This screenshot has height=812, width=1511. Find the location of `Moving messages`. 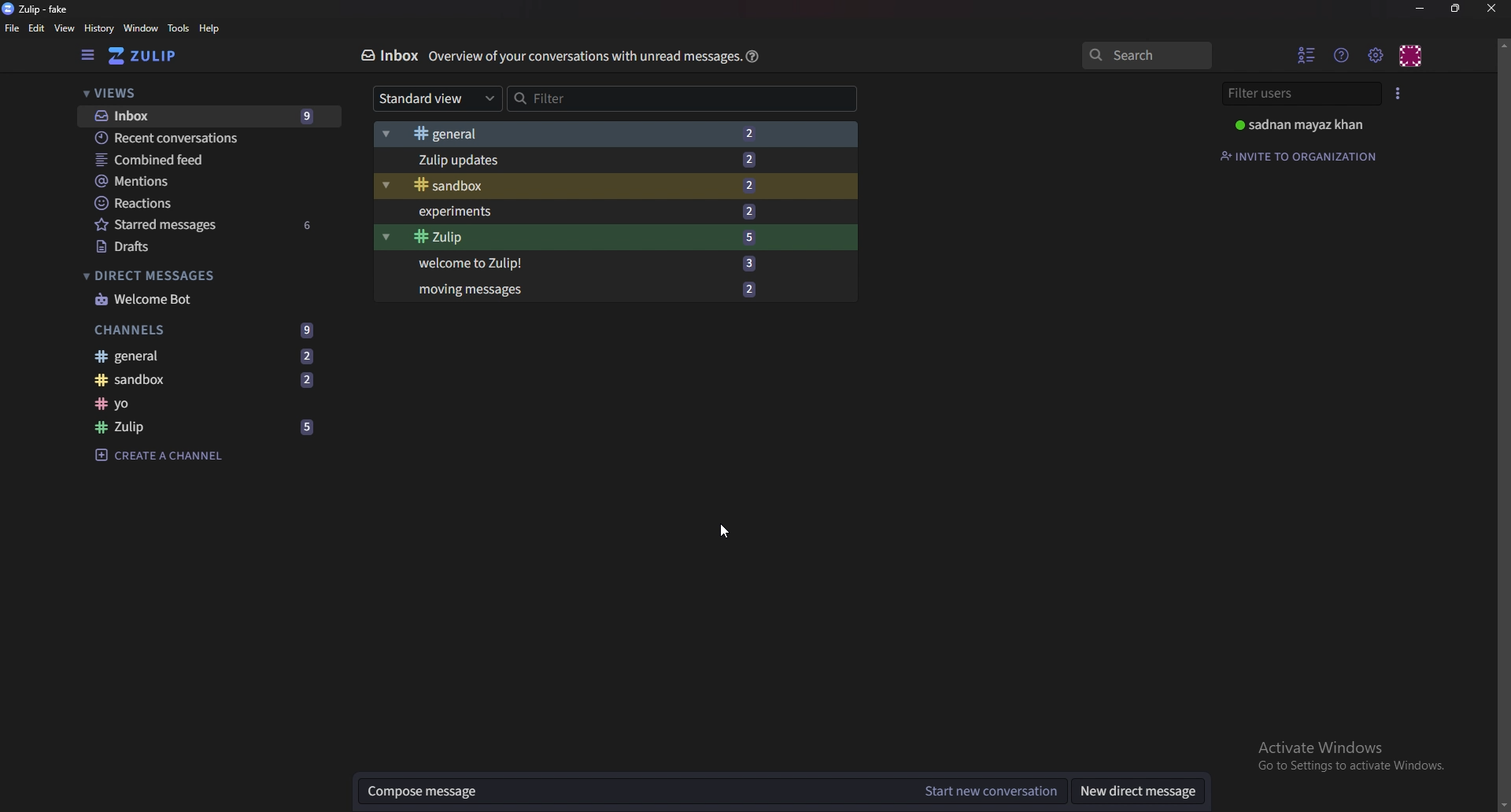

Moving messages is located at coordinates (609, 291).